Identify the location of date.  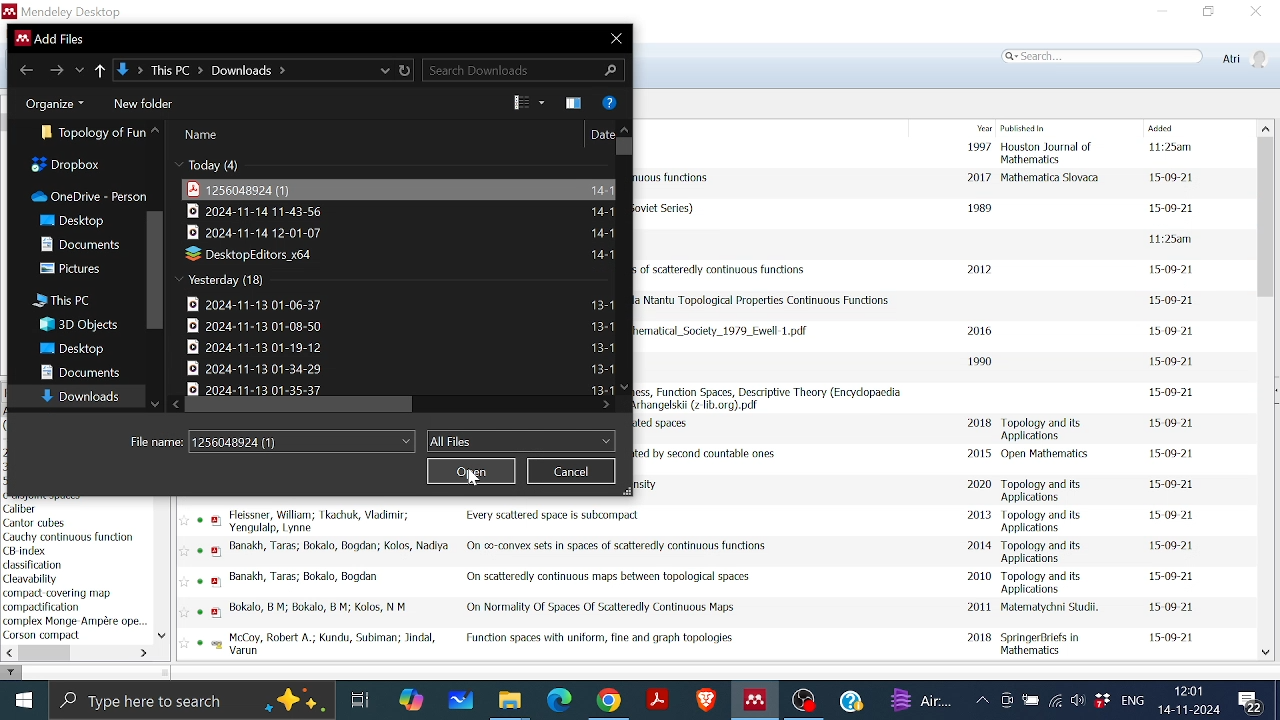
(1169, 300).